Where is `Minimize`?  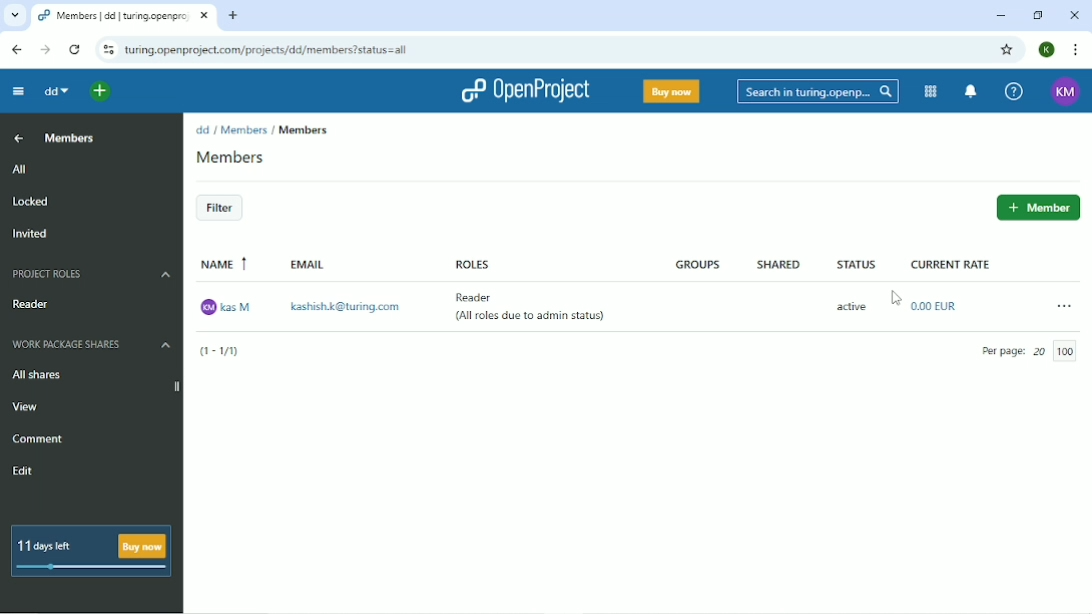 Minimize is located at coordinates (1000, 15).